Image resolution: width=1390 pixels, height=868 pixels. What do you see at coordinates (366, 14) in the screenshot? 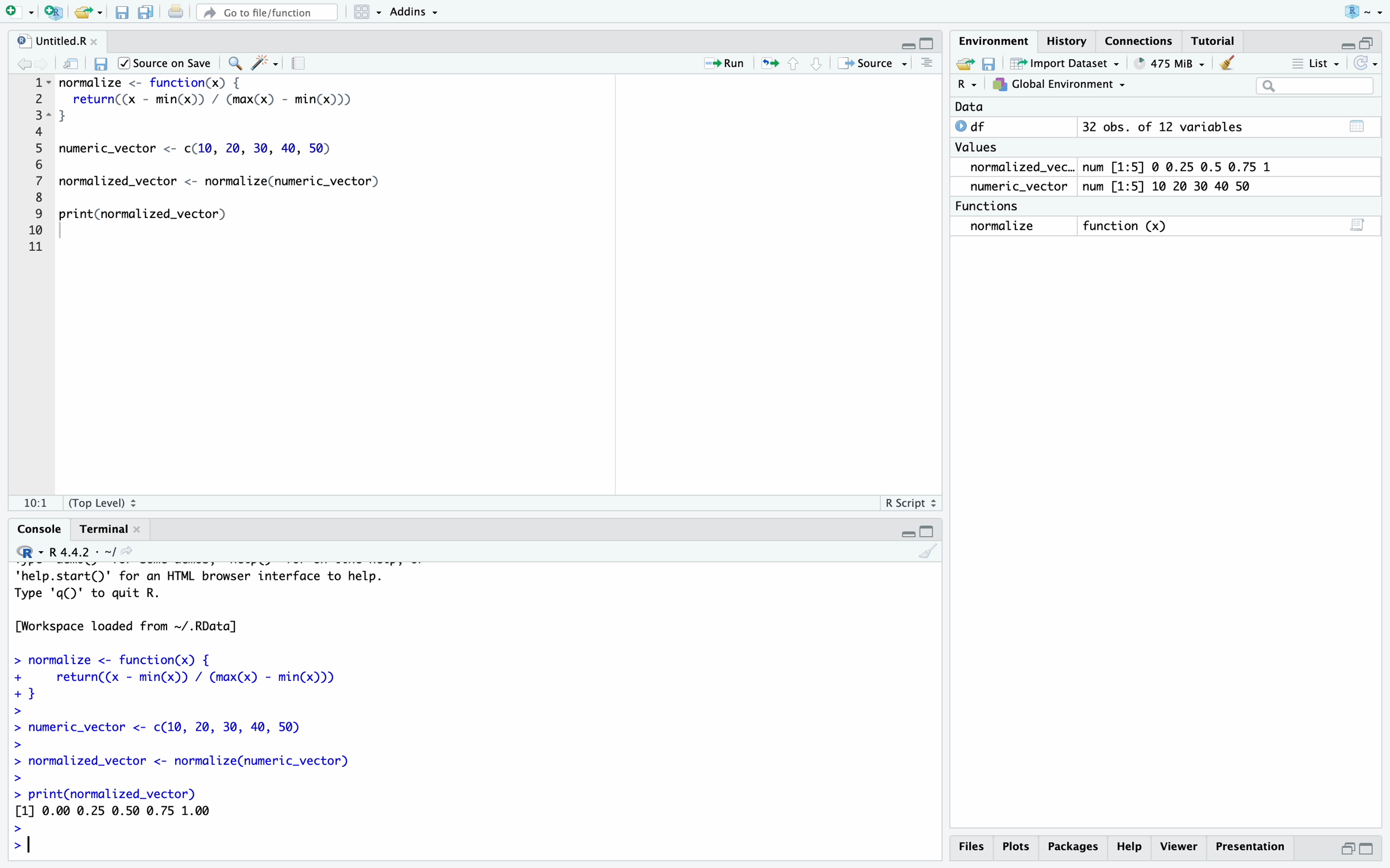
I see `Workspace panes` at bounding box center [366, 14].